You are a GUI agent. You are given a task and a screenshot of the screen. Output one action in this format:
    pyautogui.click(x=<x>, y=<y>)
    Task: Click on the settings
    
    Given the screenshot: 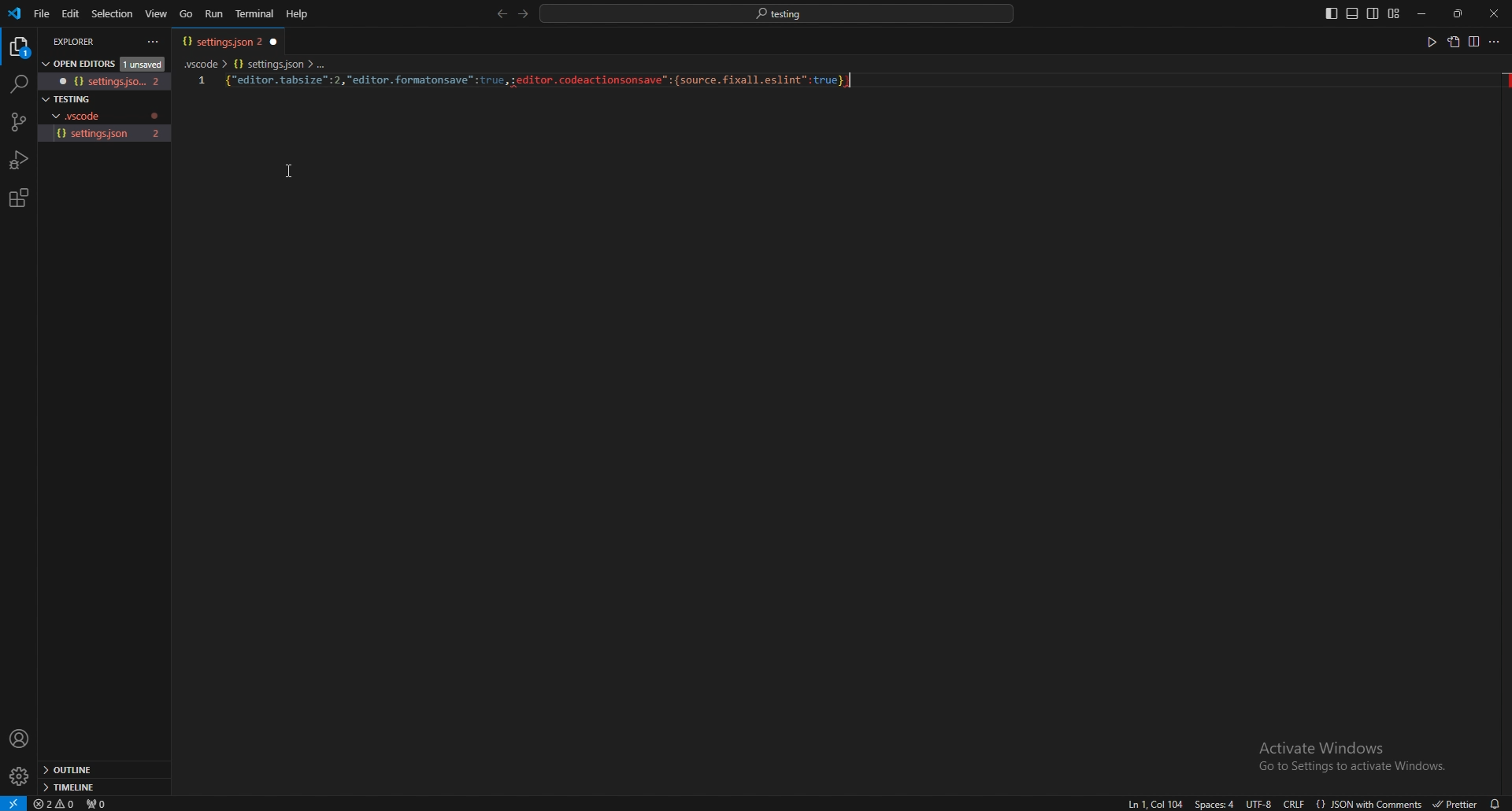 What is the action you would take?
    pyautogui.click(x=18, y=777)
    